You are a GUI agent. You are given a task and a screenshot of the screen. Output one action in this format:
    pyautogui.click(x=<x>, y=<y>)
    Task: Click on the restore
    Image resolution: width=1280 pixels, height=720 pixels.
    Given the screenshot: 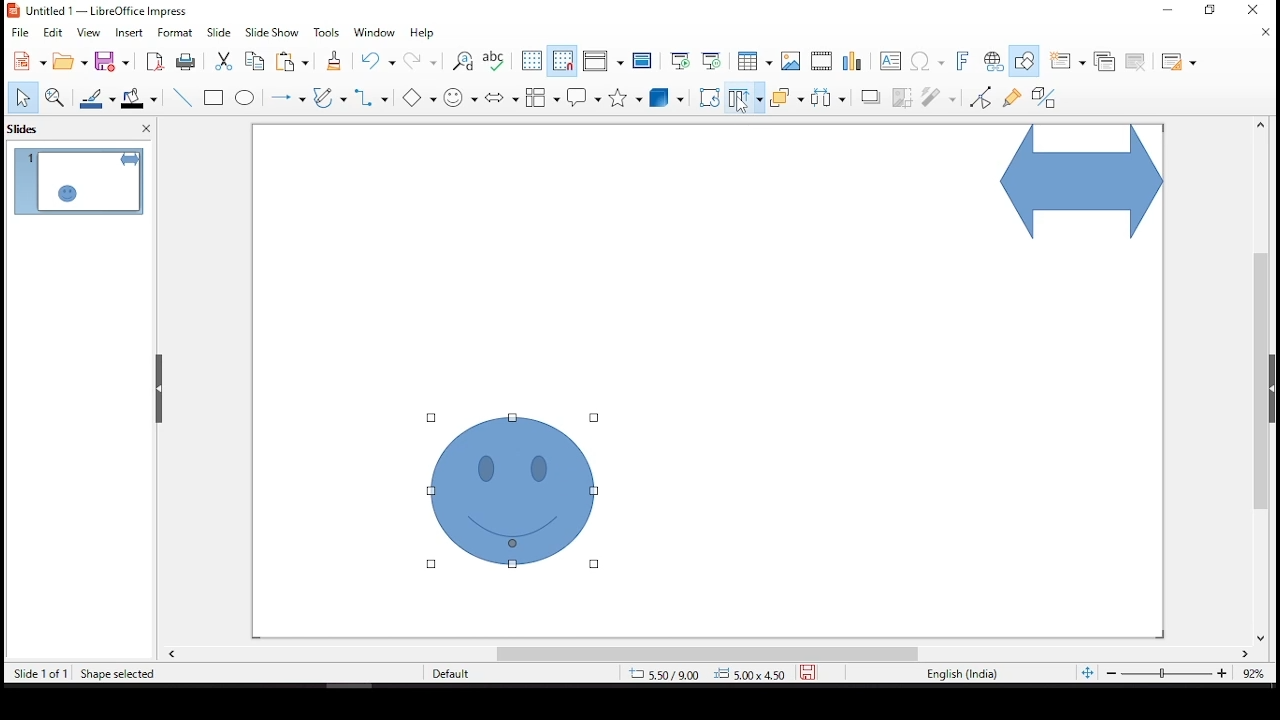 What is the action you would take?
    pyautogui.click(x=1215, y=14)
    